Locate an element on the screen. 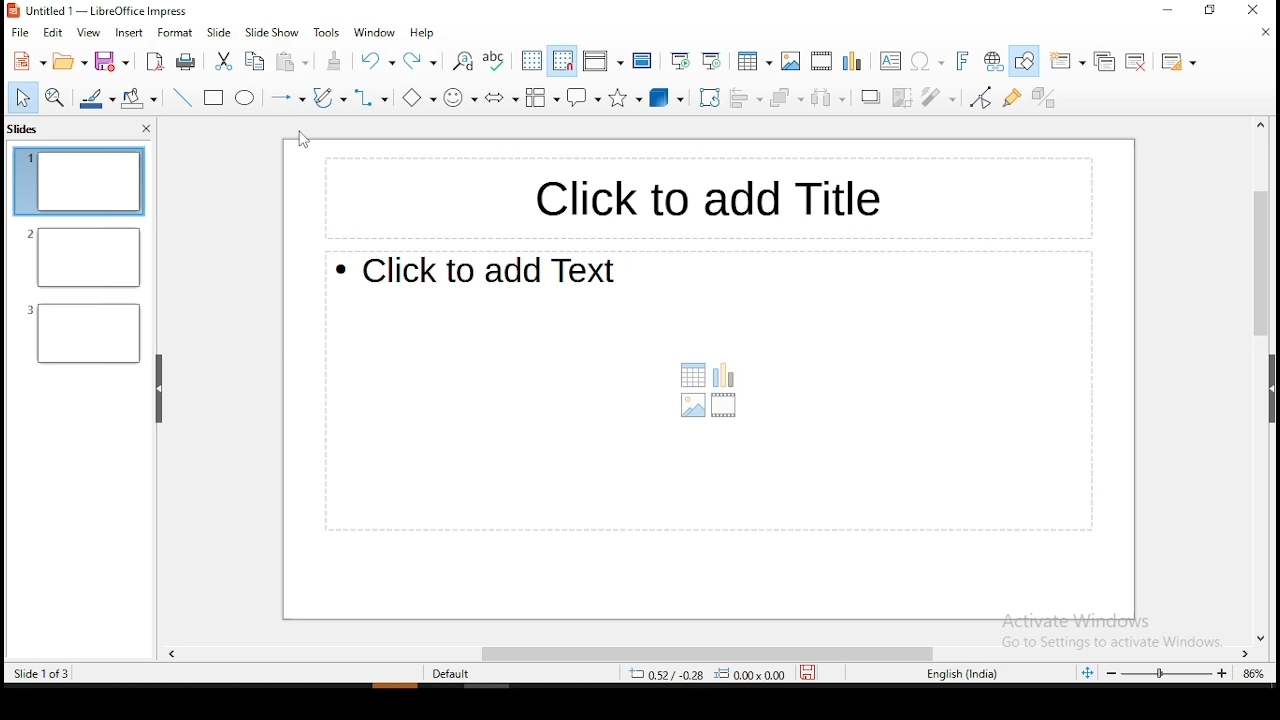 The height and width of the screenshot is (720, 1280). line is located at coordinates (185, 99).